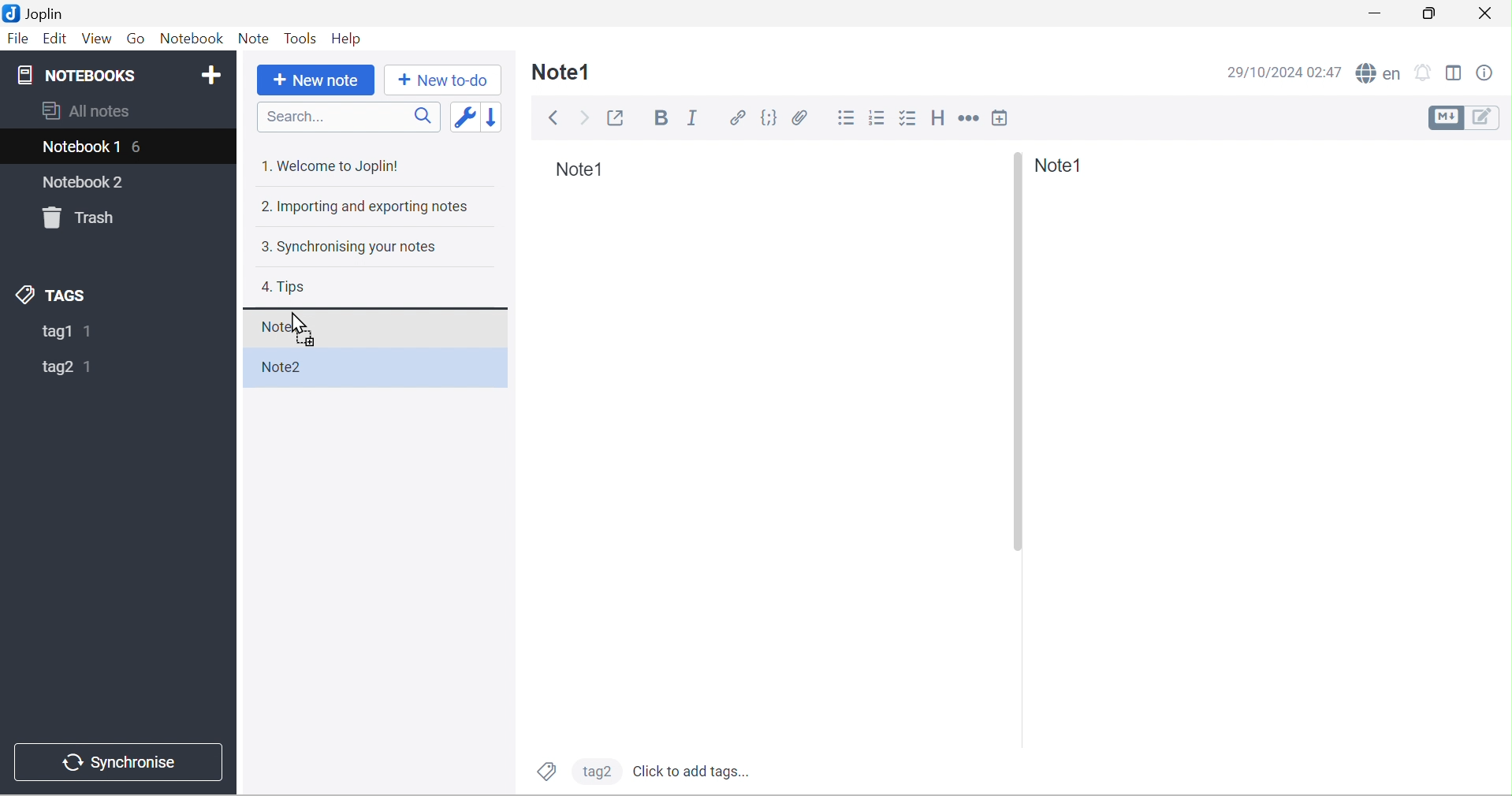  I want to click on Edit, so click(55, 40).